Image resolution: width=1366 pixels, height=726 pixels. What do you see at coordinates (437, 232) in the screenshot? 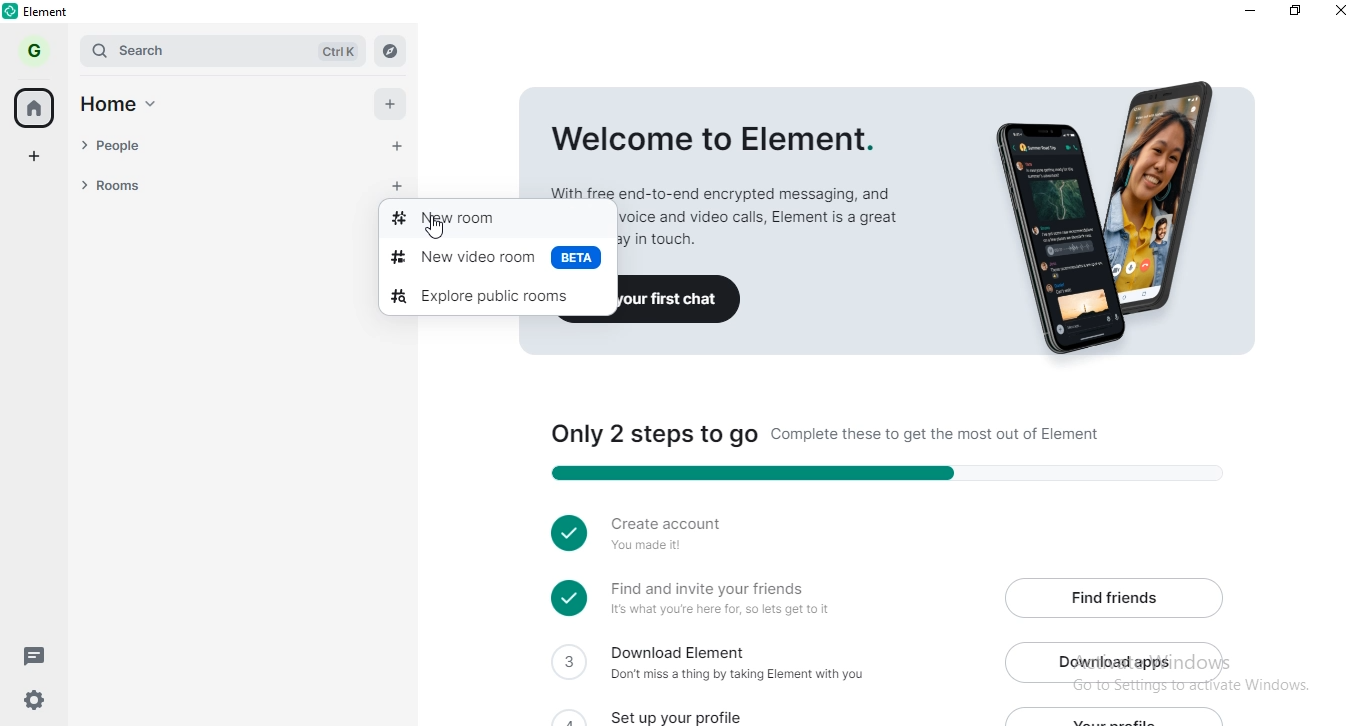
I see `cursor` at bounding box center [437, 232].